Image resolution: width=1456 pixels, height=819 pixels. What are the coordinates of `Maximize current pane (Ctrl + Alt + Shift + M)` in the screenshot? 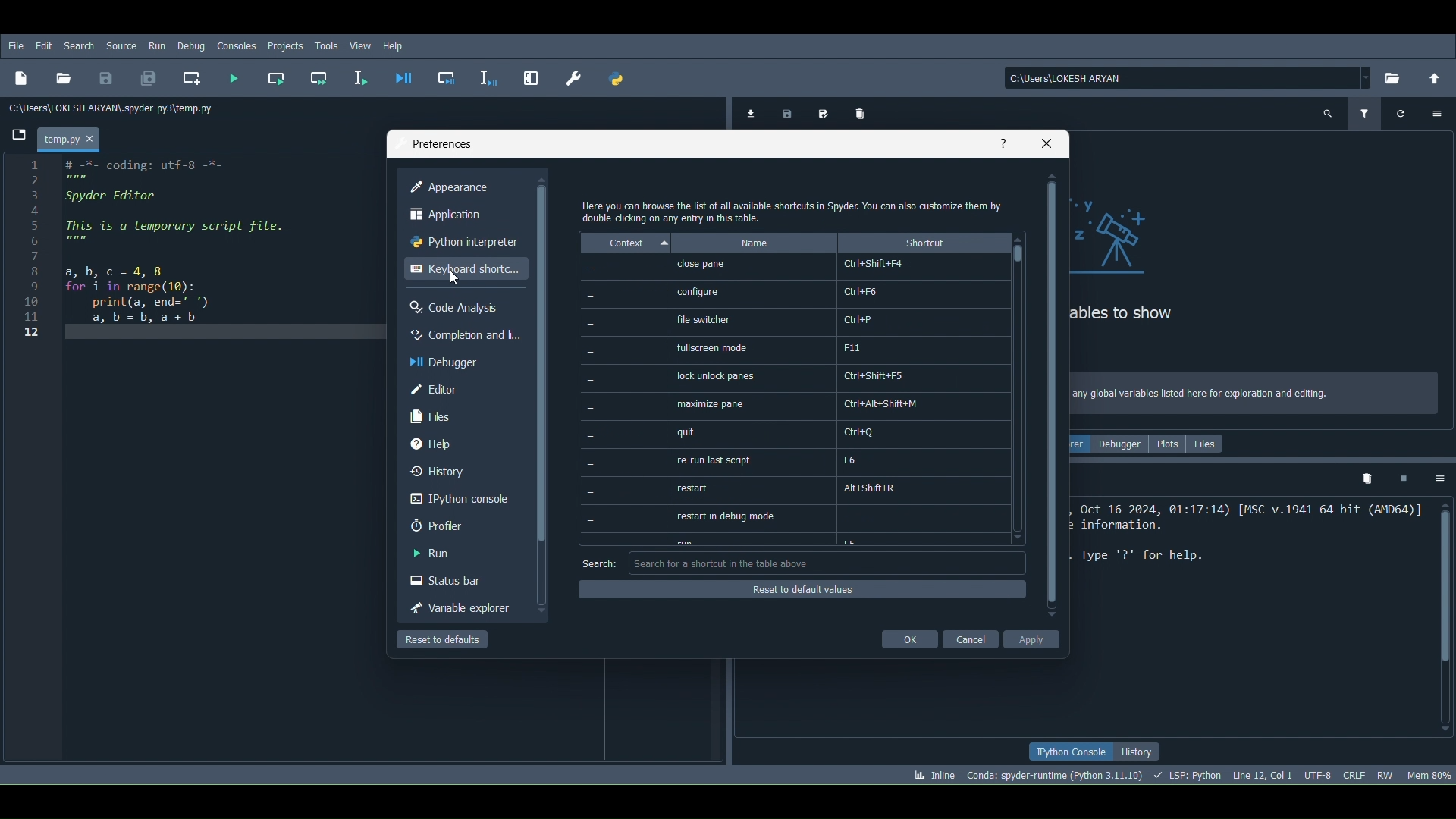 It's located at (532, 76).